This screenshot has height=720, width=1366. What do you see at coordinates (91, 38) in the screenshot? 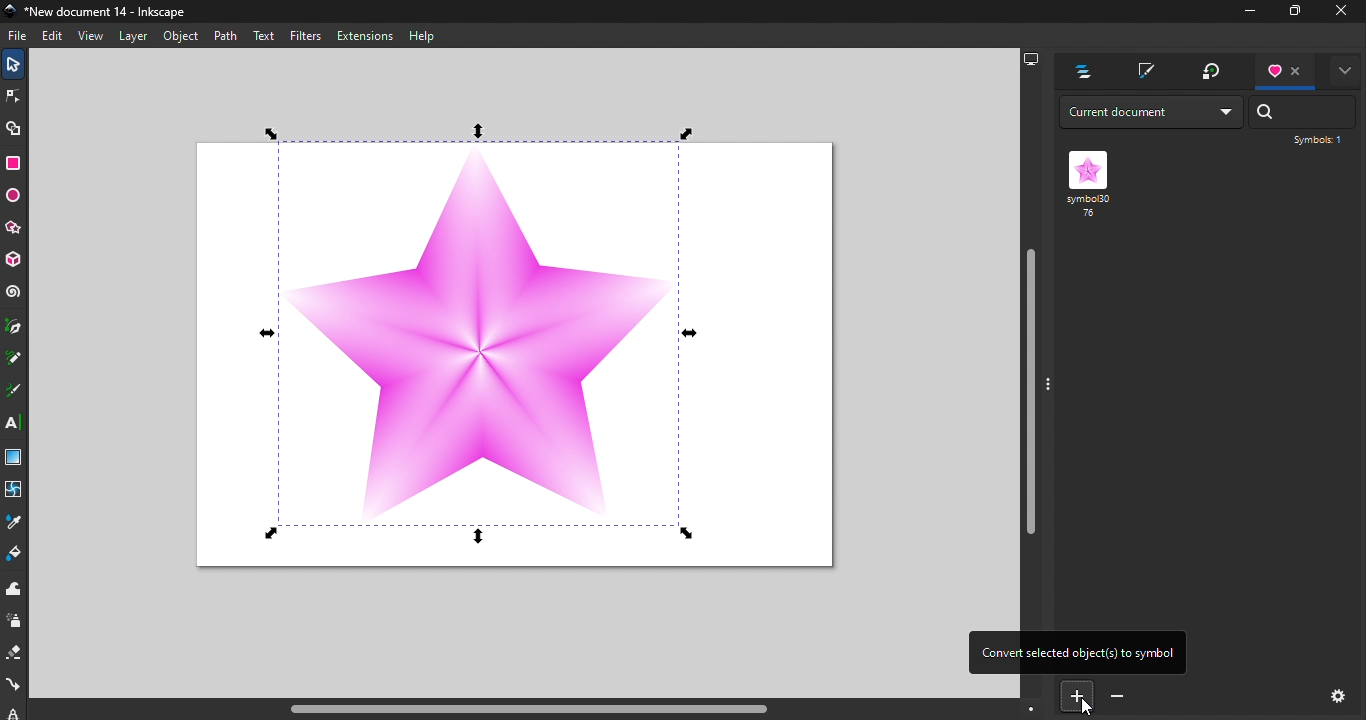
I see `View` at bounding box center [91, 38].